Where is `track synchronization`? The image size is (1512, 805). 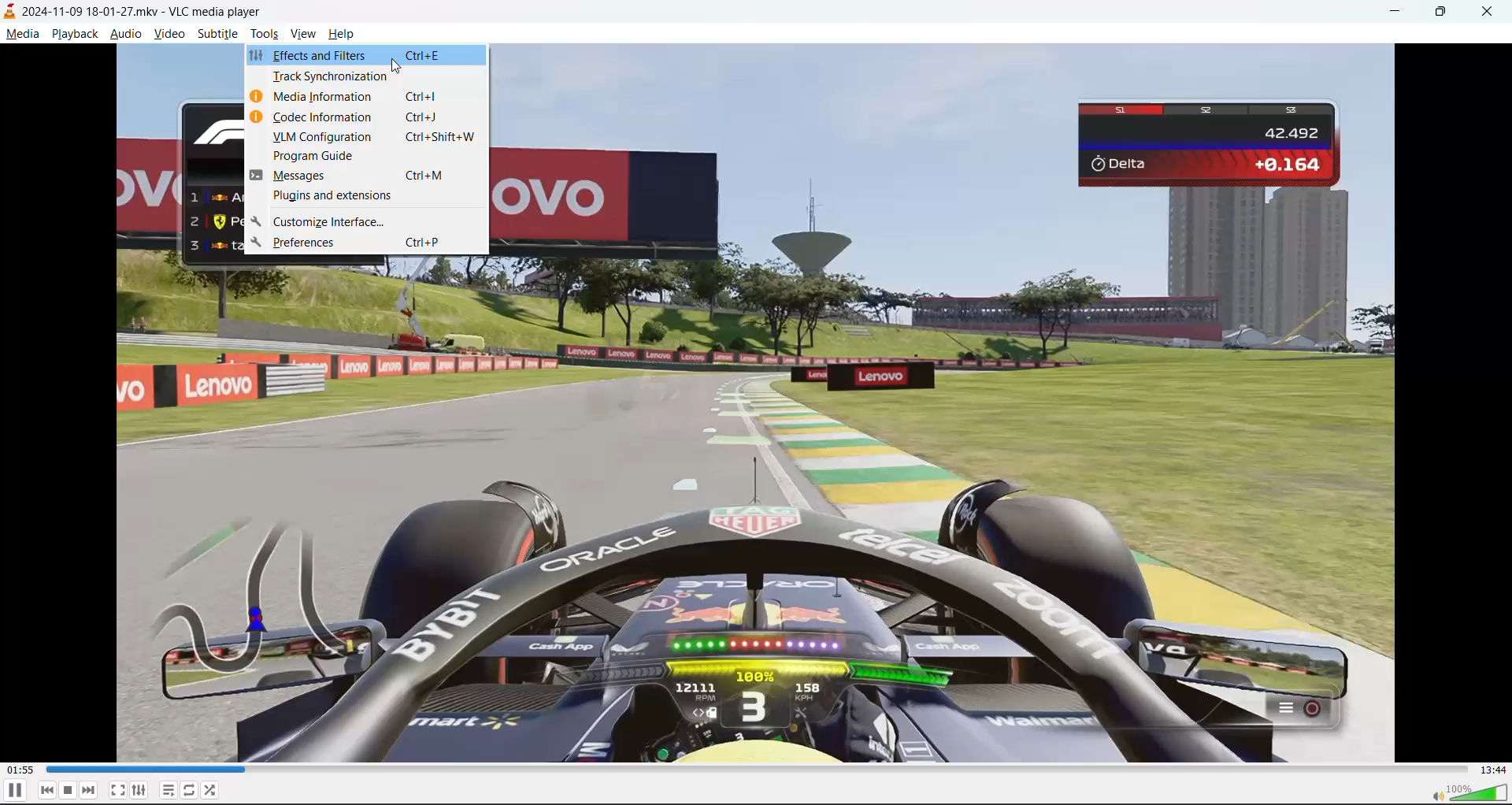
track synchronization is located at coordinates (366, 76).